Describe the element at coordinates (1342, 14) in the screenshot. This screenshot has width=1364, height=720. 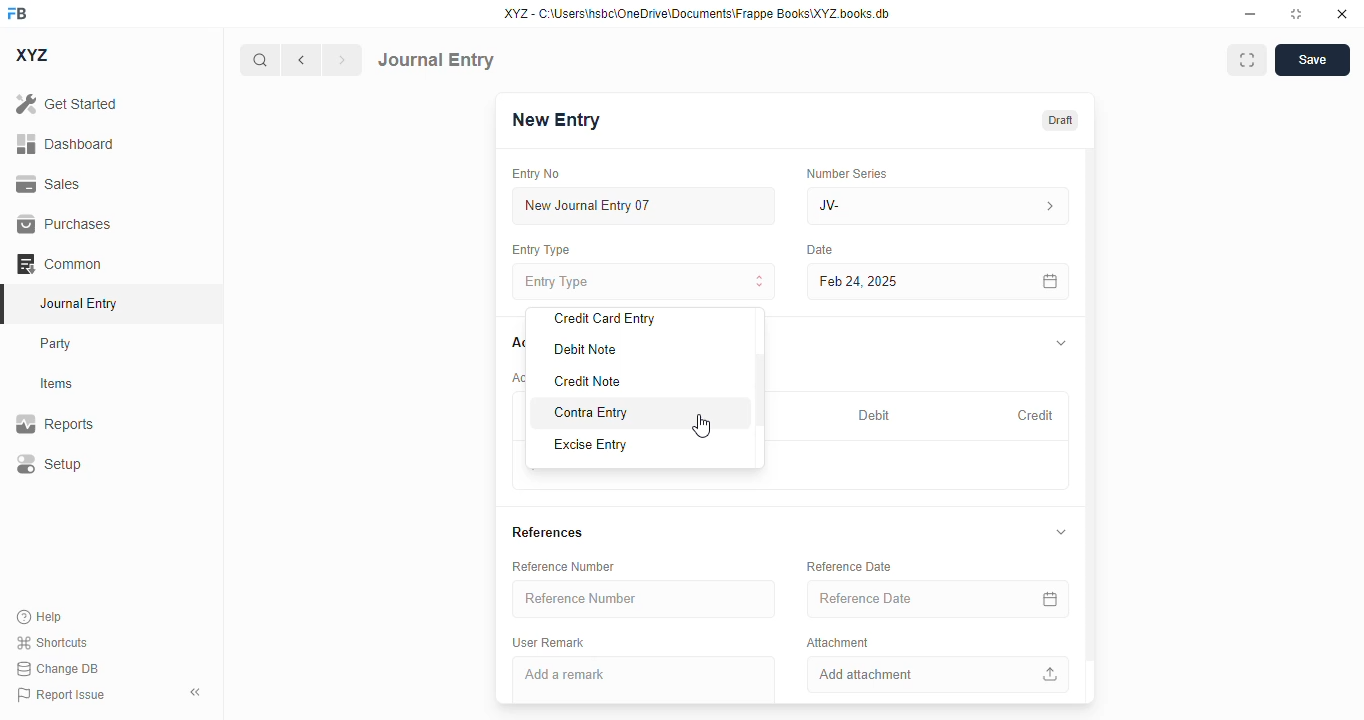
I see `close` at that location.